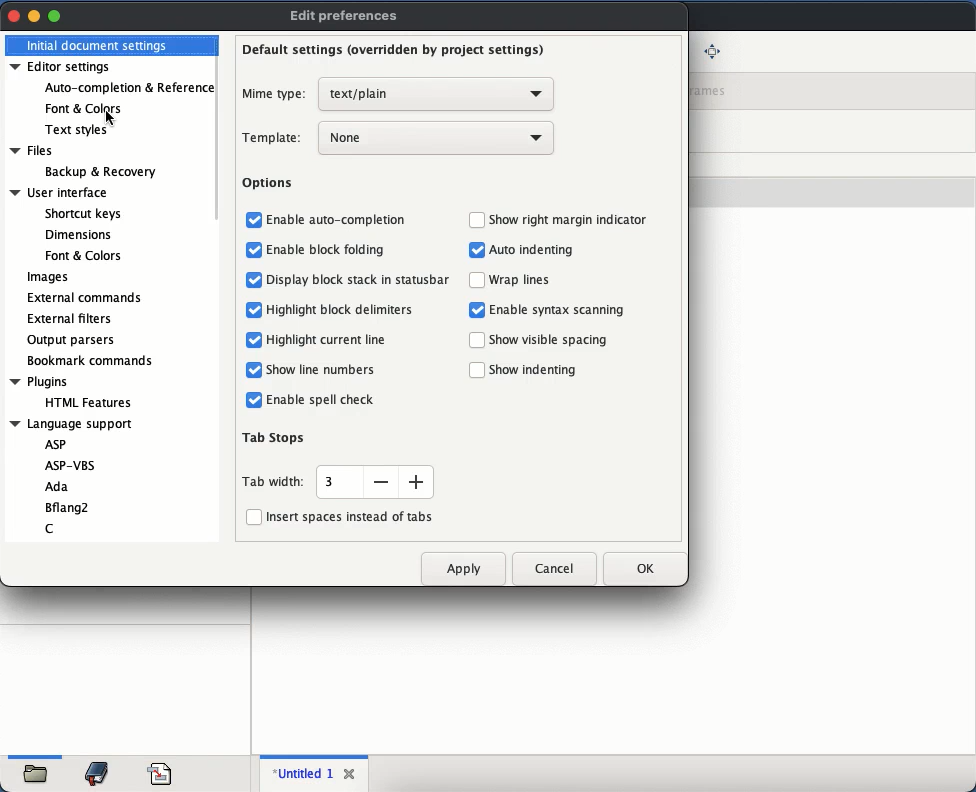 This screenshot has width=976, height=792. Describe the element at coordinates (85, 106) in the screenshot. I see `font and colors` at that location.